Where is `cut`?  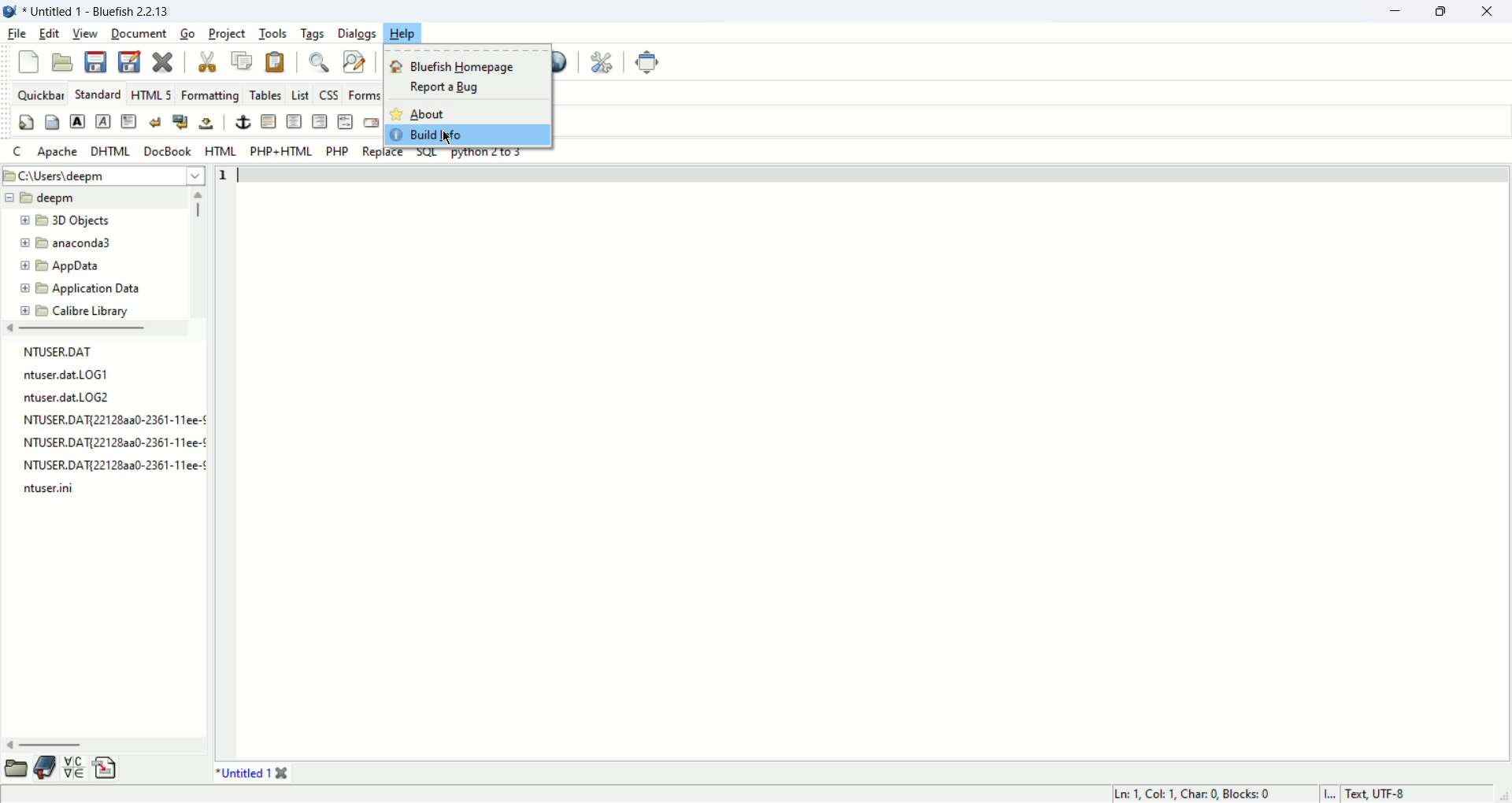
cut is located at coordinates (208, 62).